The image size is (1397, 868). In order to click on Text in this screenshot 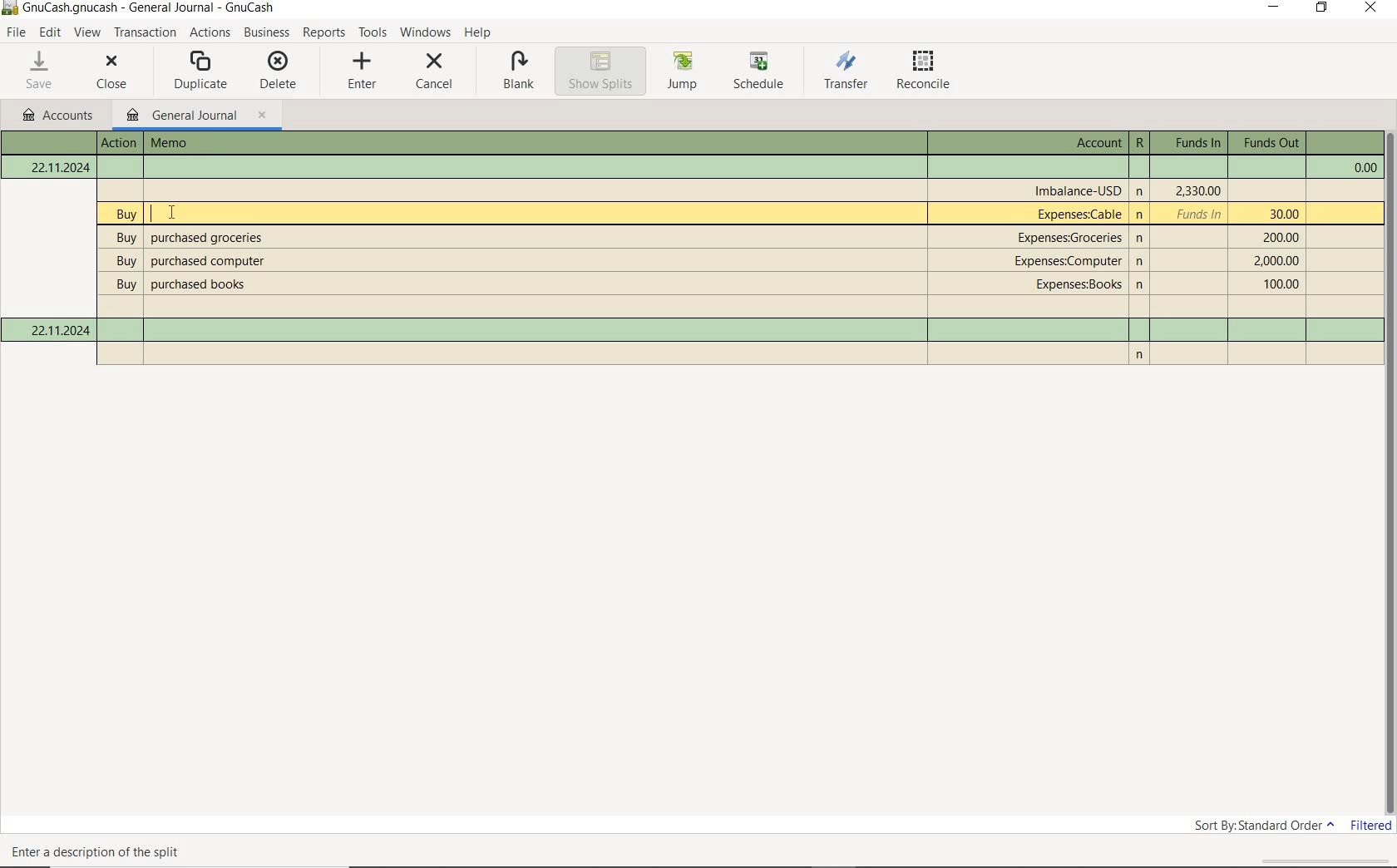, I will do `click(1268, 143)`.